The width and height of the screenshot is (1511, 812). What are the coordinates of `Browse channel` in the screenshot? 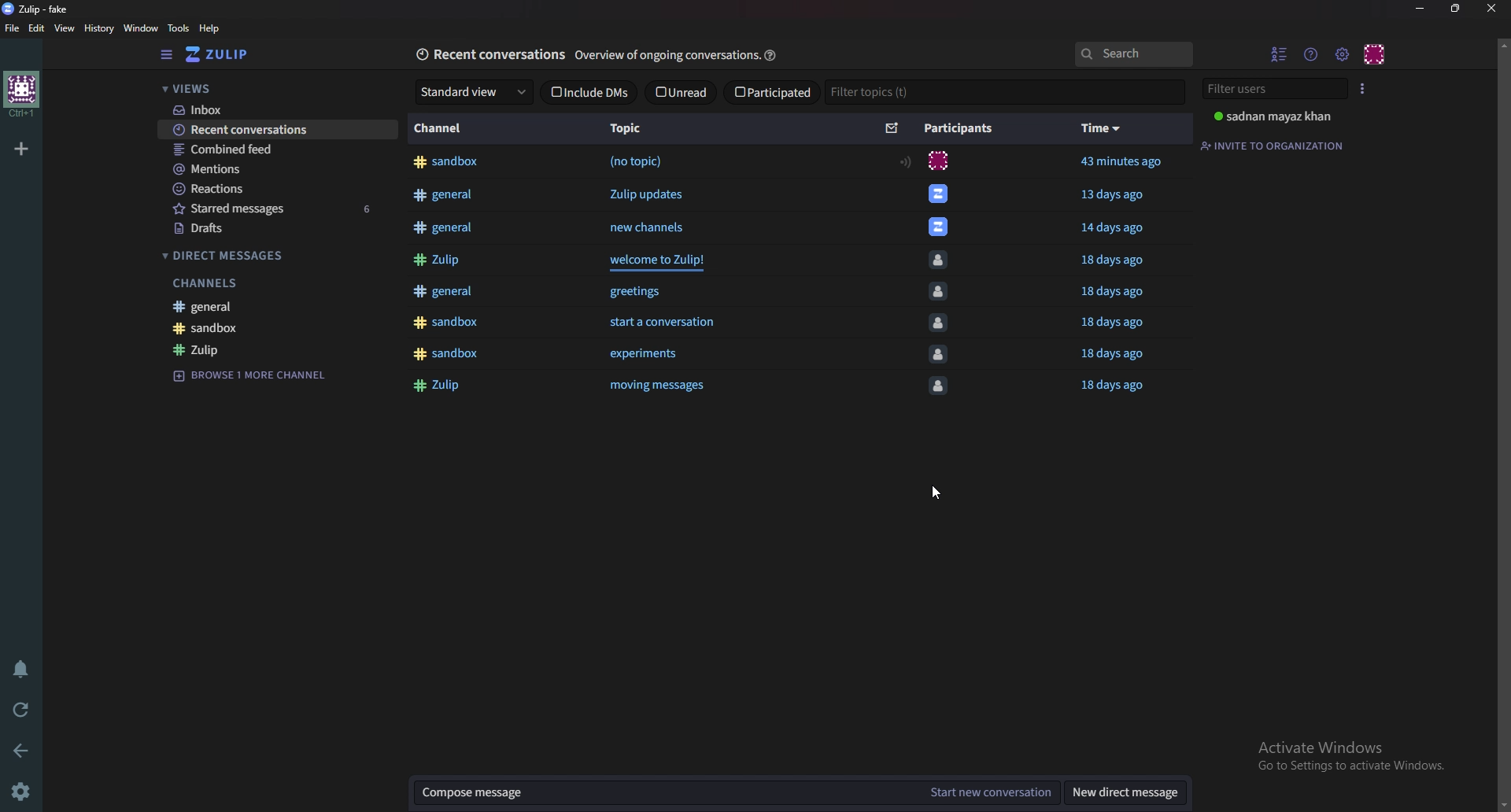 It's located at (255, 397).